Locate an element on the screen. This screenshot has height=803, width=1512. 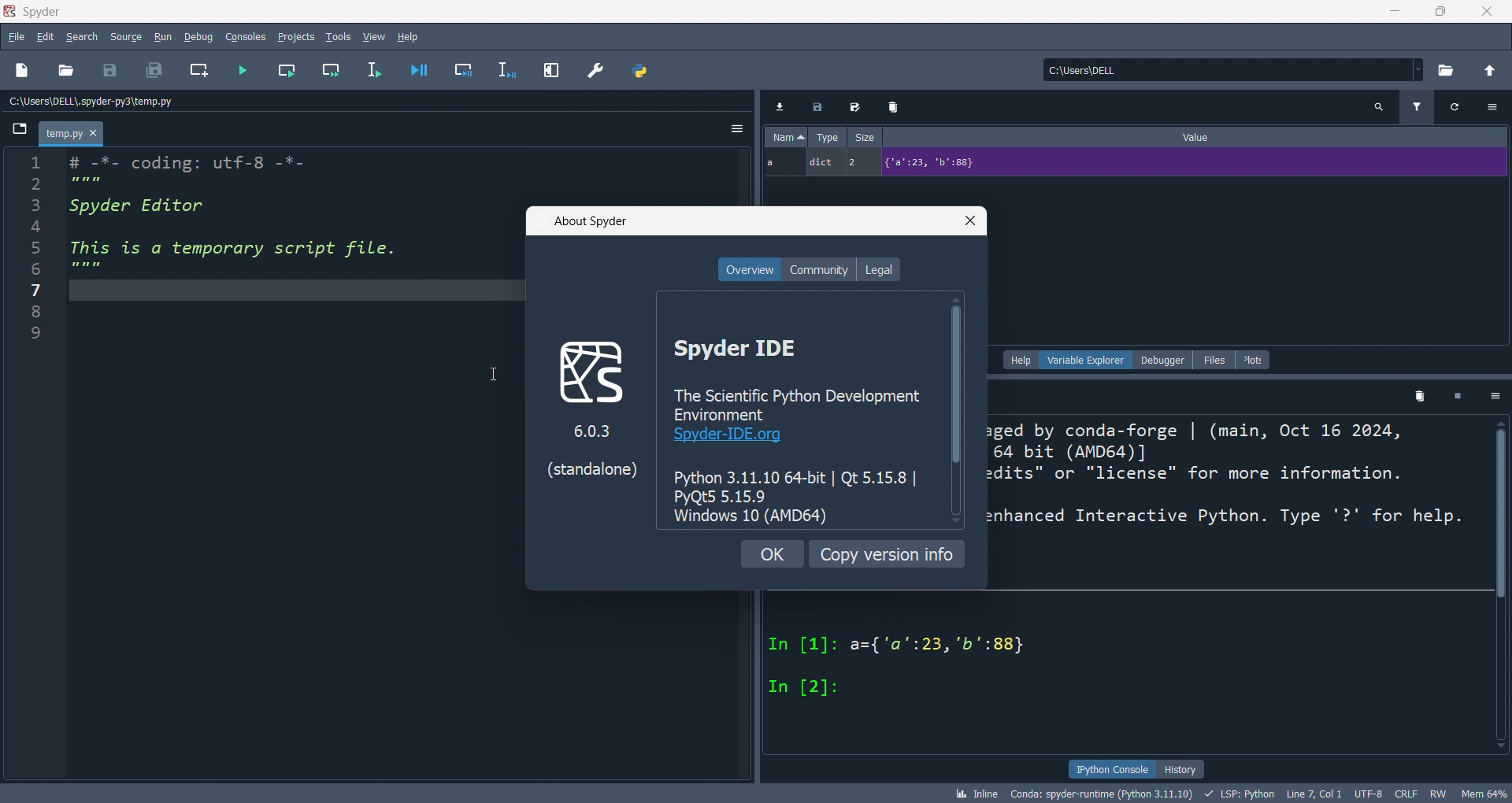
projects is located at coordinates (297, 38).